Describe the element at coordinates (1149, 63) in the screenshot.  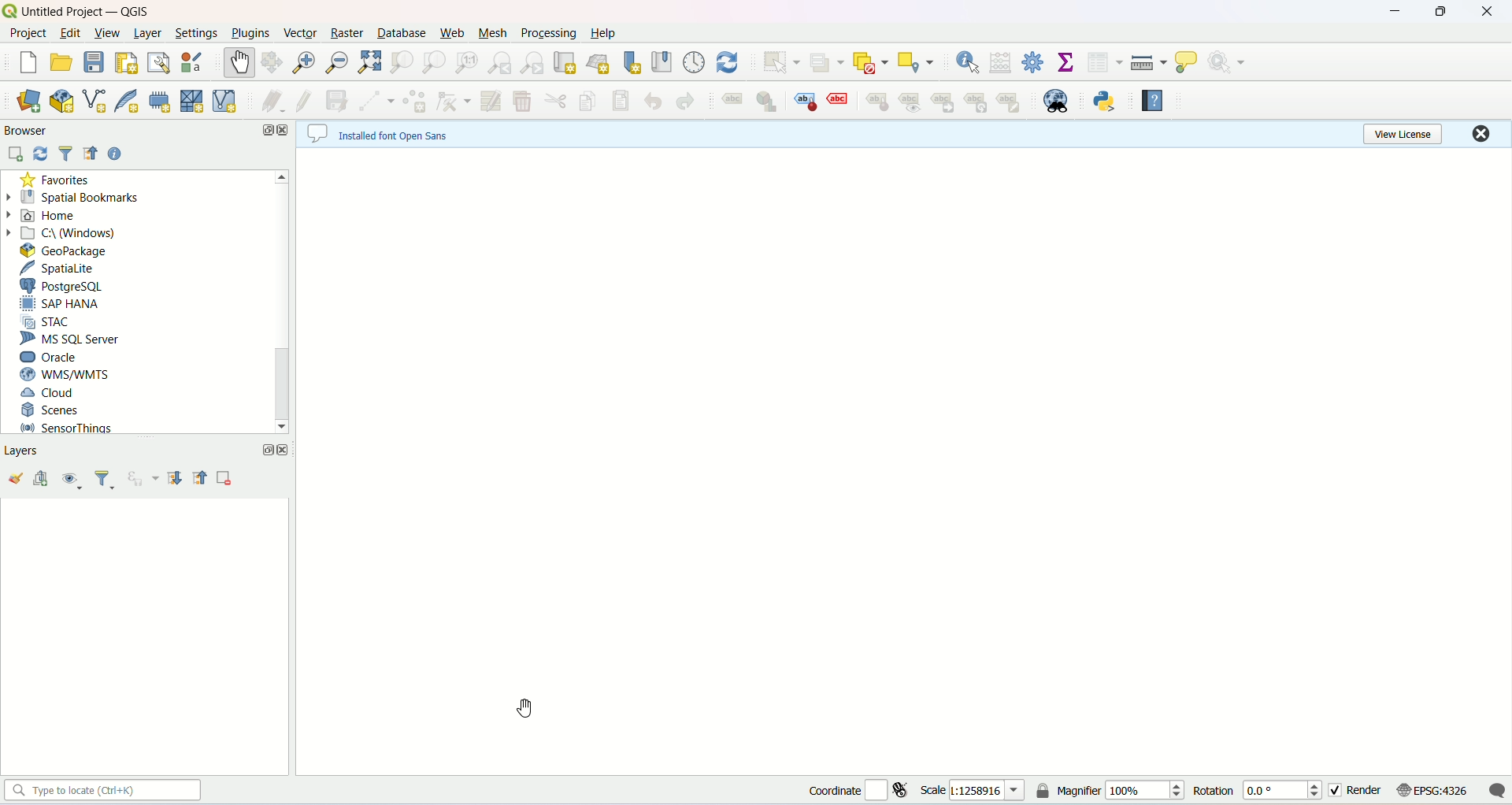
I see `measure line` at that location.